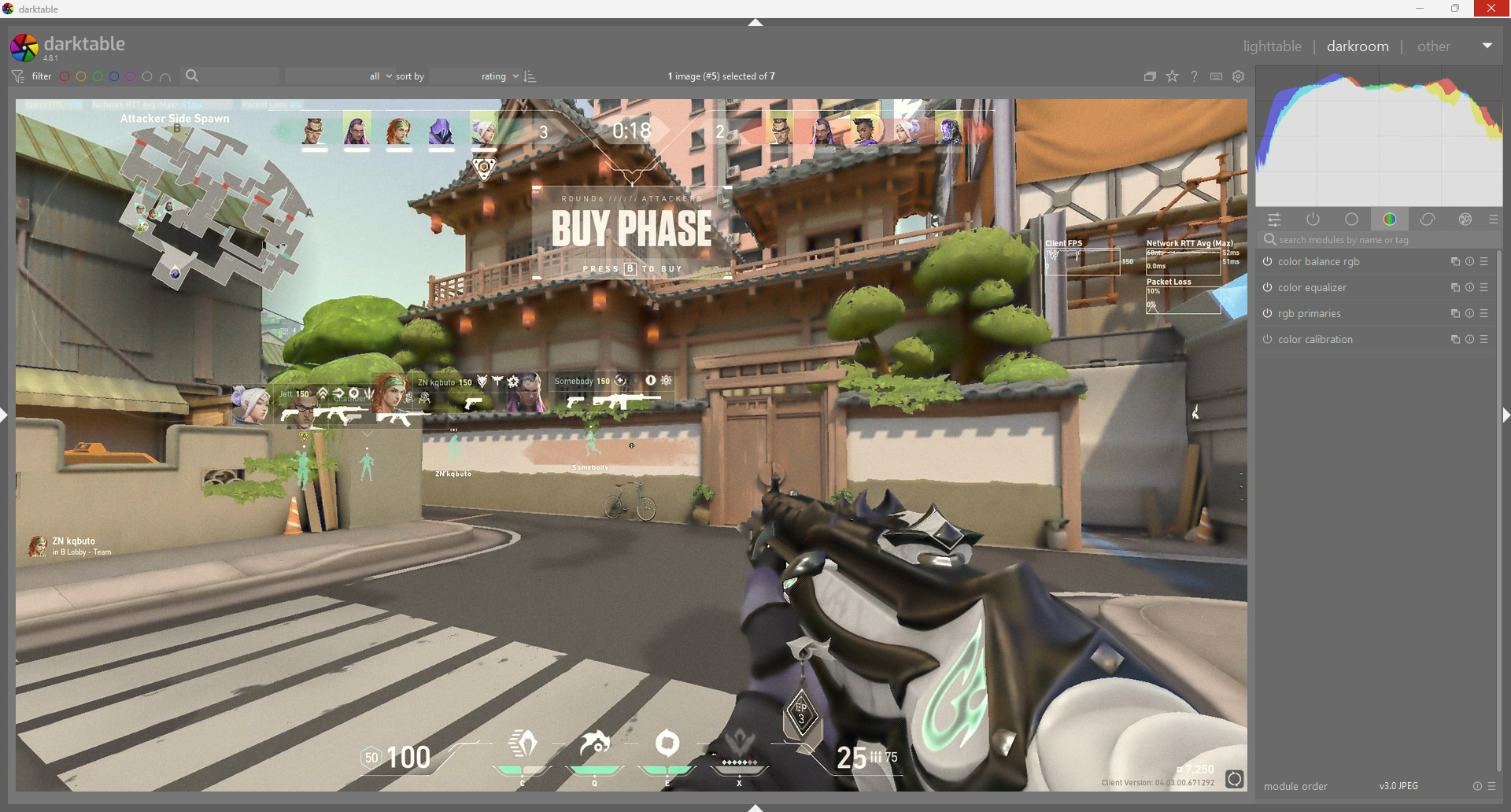 The width and height of the screenshot is (1511, 812). What do you see at coordinates (1468, 288) in the screenshot?
I see `reset` at bounding box center [1468, 288].